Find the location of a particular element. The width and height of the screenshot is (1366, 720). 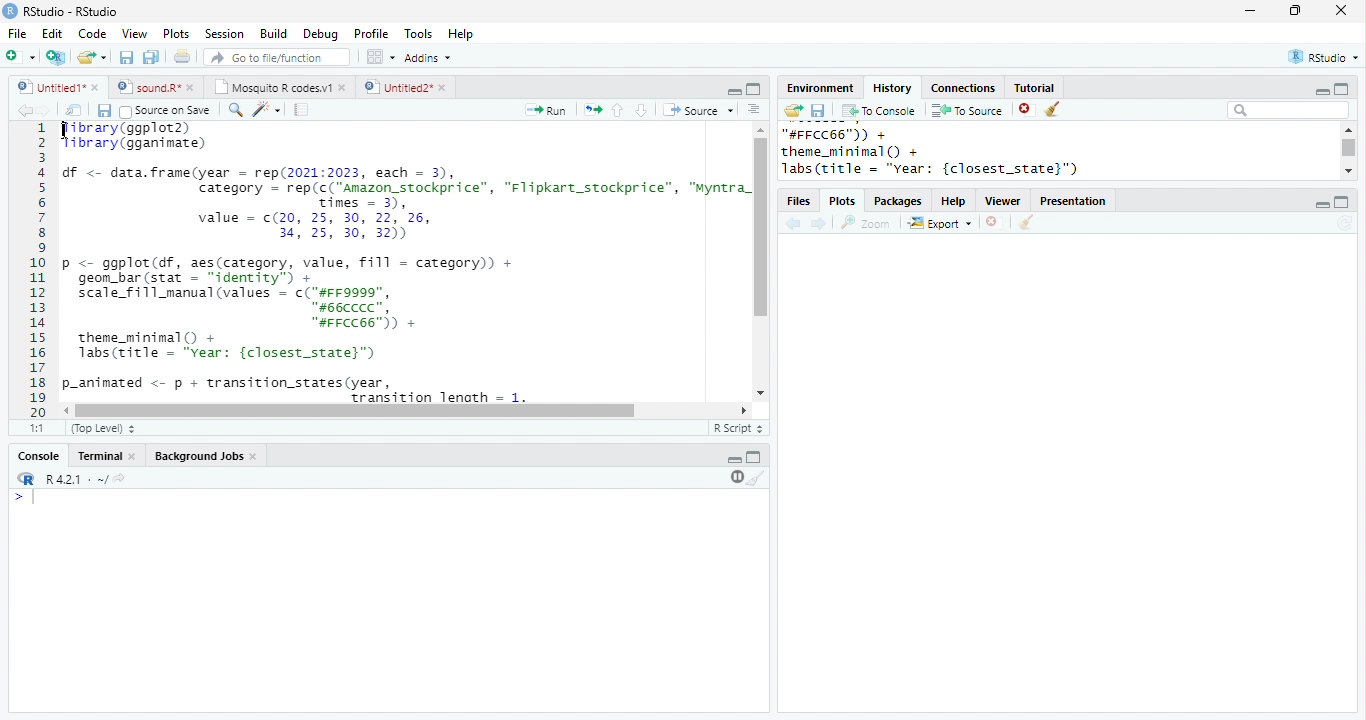

New project is located at coordinates (56, 58).